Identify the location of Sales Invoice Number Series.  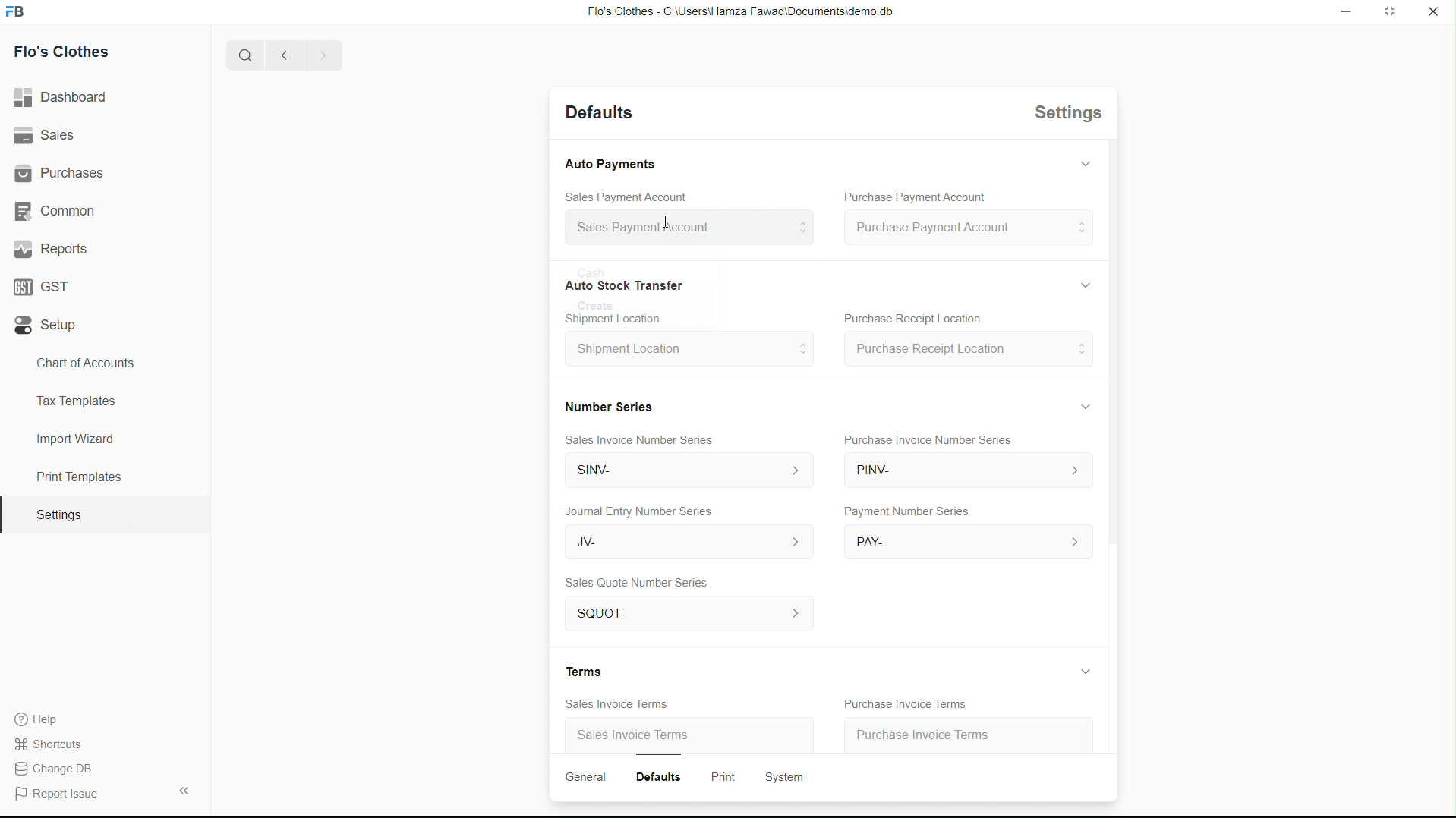
(635, 442).